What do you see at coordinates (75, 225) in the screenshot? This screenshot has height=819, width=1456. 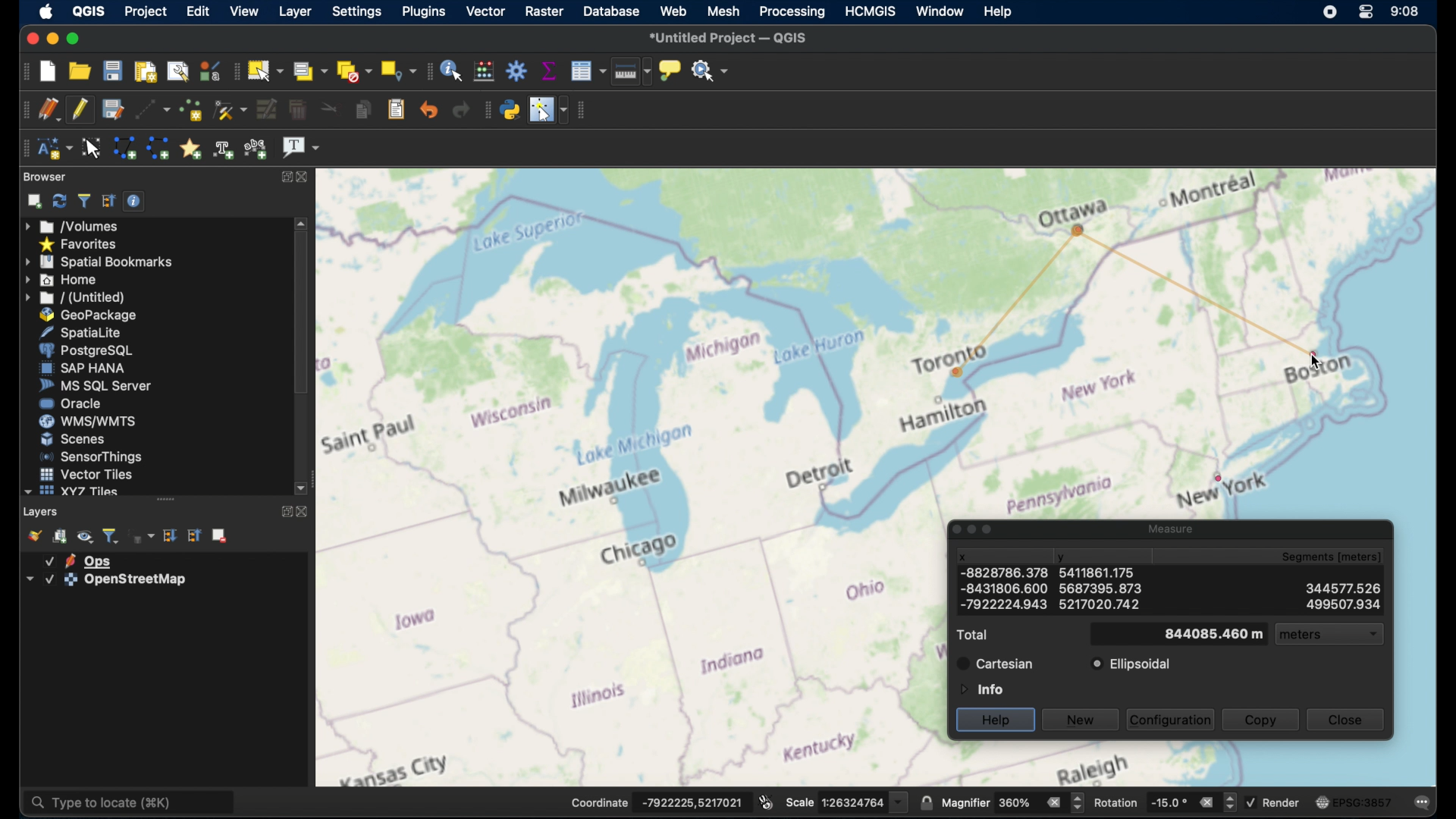 I see `volumes menu` at bounding box center [75, 225].